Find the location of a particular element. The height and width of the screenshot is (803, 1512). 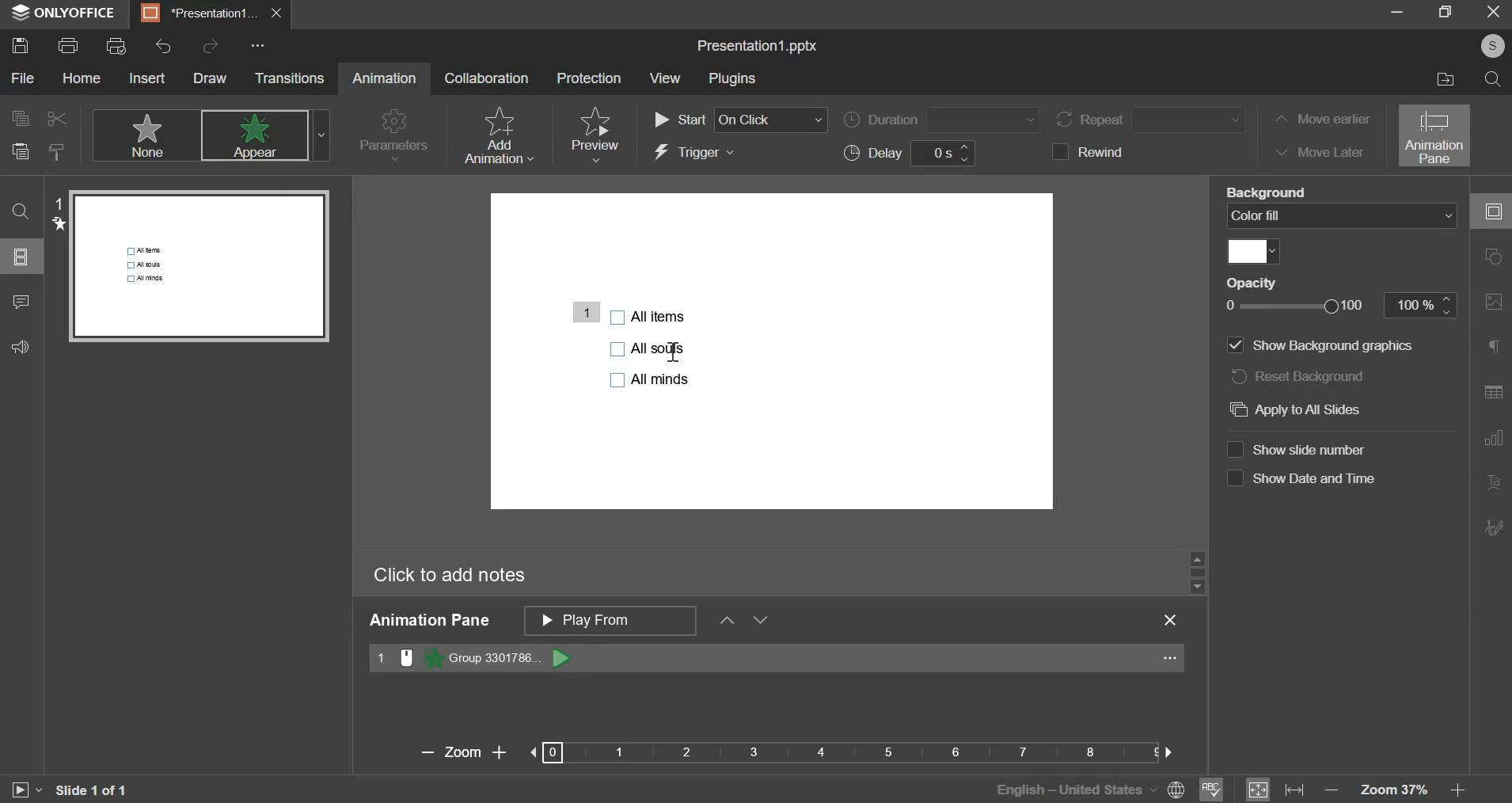

appear is located at coordinates (264, 136).